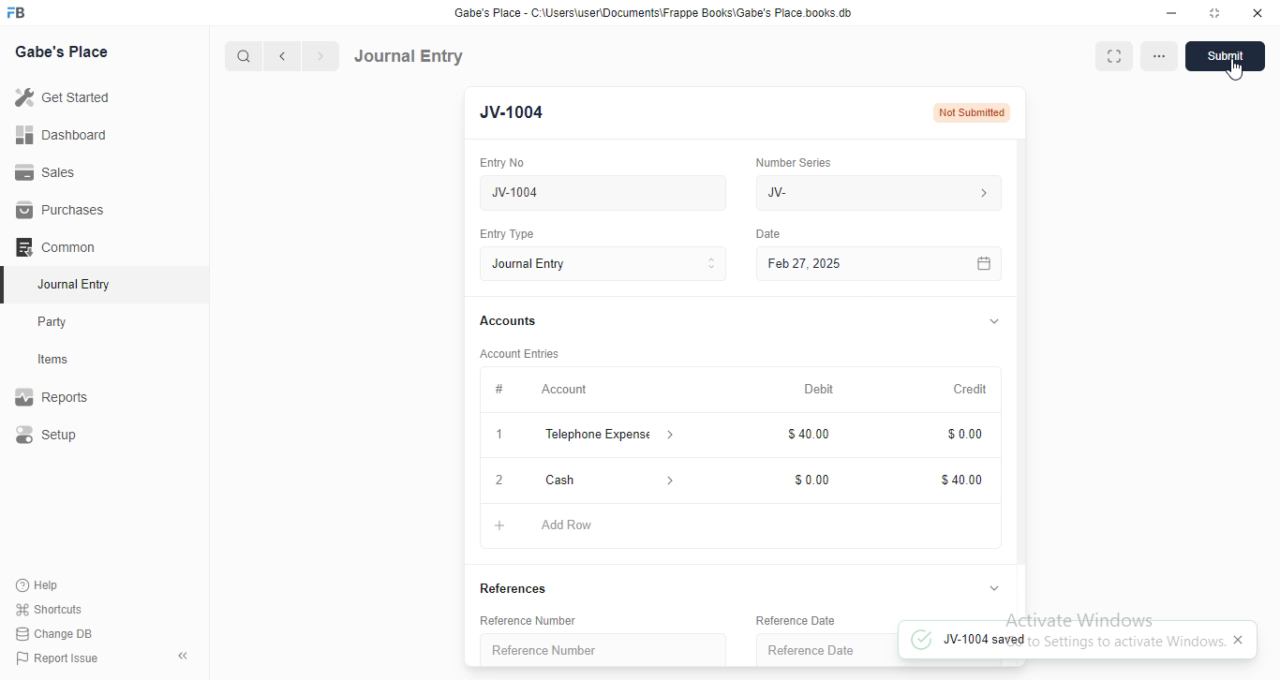 Image resolution: width=1280 pixels, height=680 pixels. Describe the element at coordinates (527, 114) in the screenshot. I see `New entry` at that location.